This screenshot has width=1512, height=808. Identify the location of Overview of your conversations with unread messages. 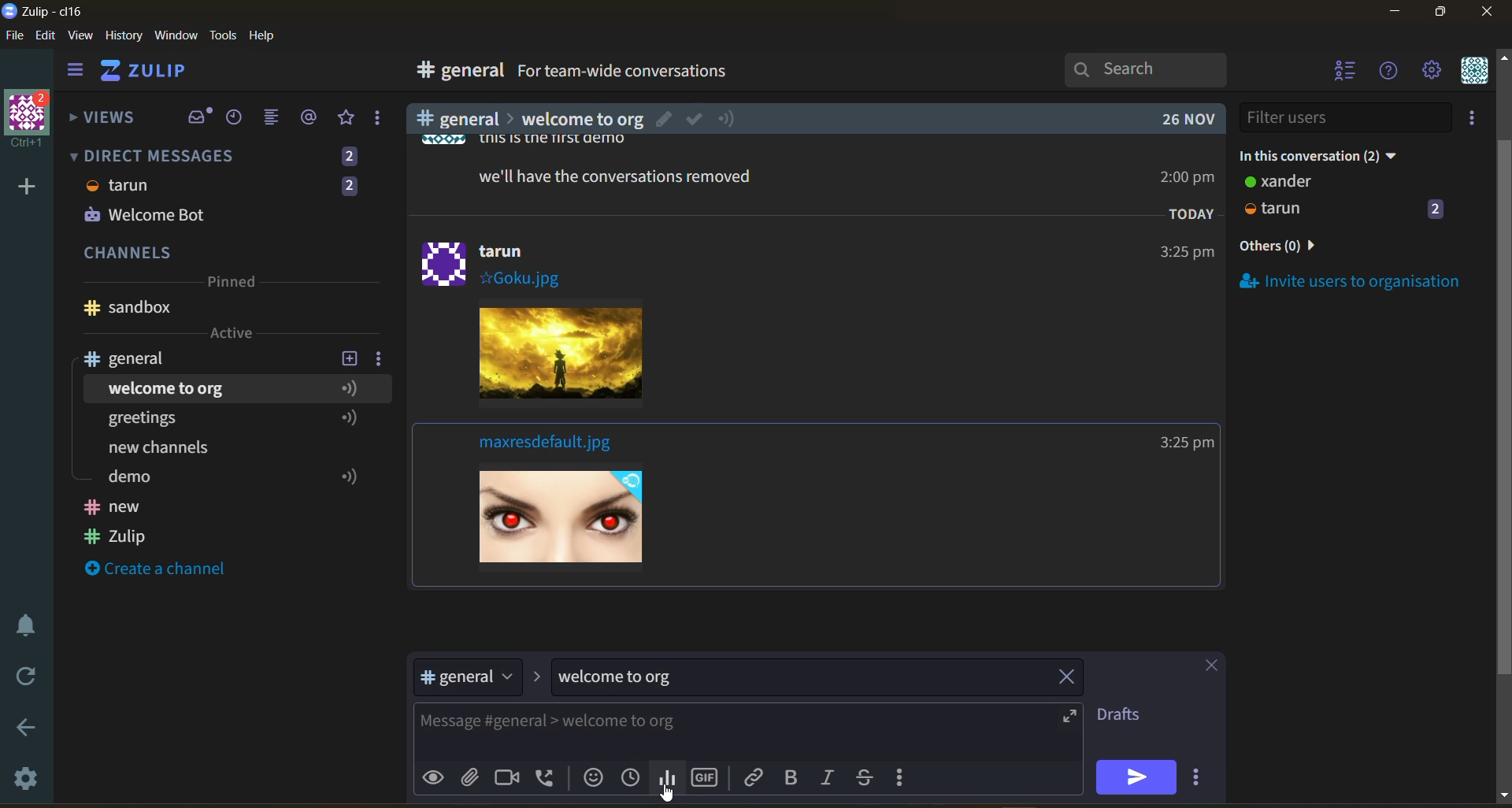
(696, 73).